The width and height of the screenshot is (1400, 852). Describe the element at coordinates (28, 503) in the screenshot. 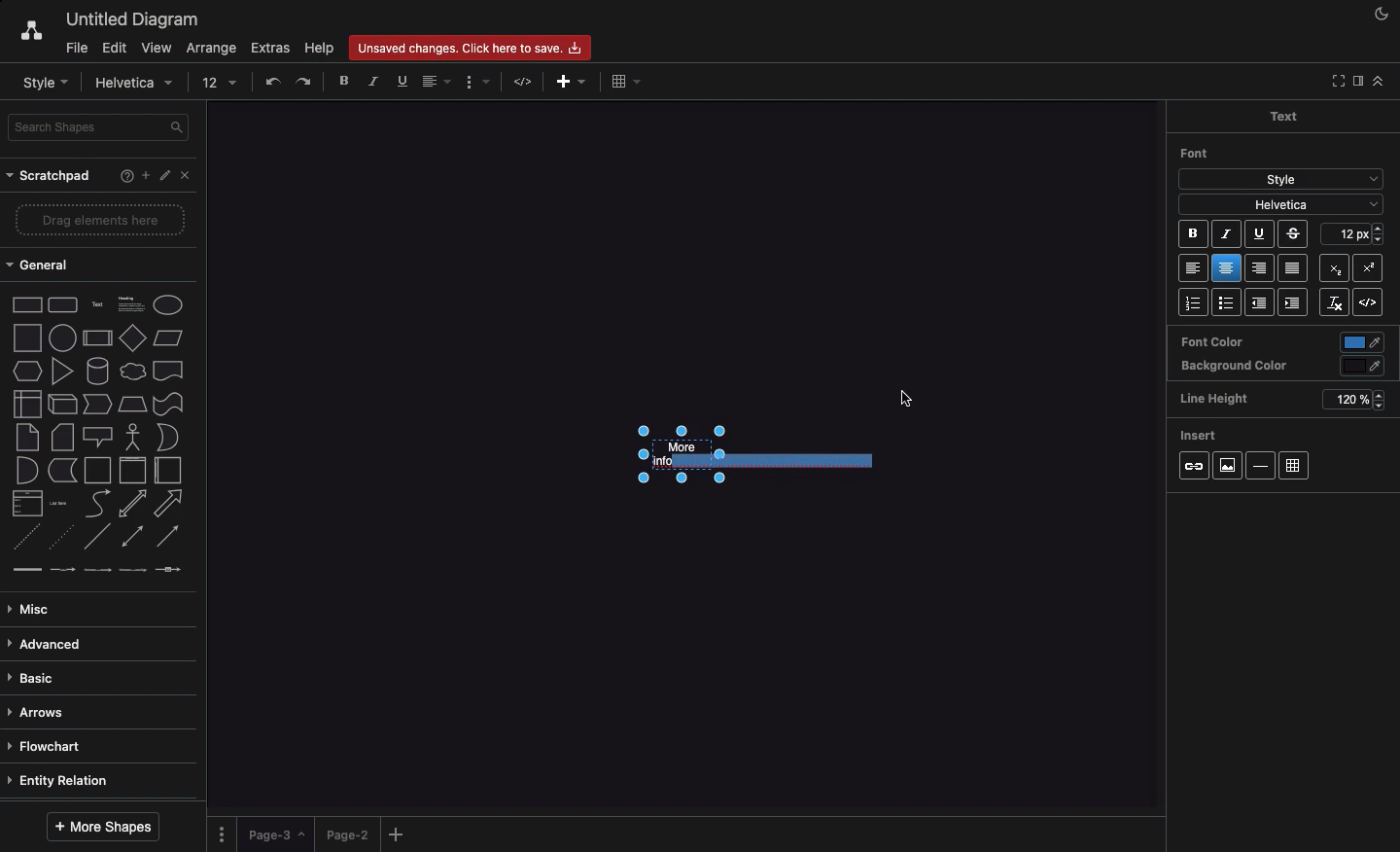

I see `list` at that location.